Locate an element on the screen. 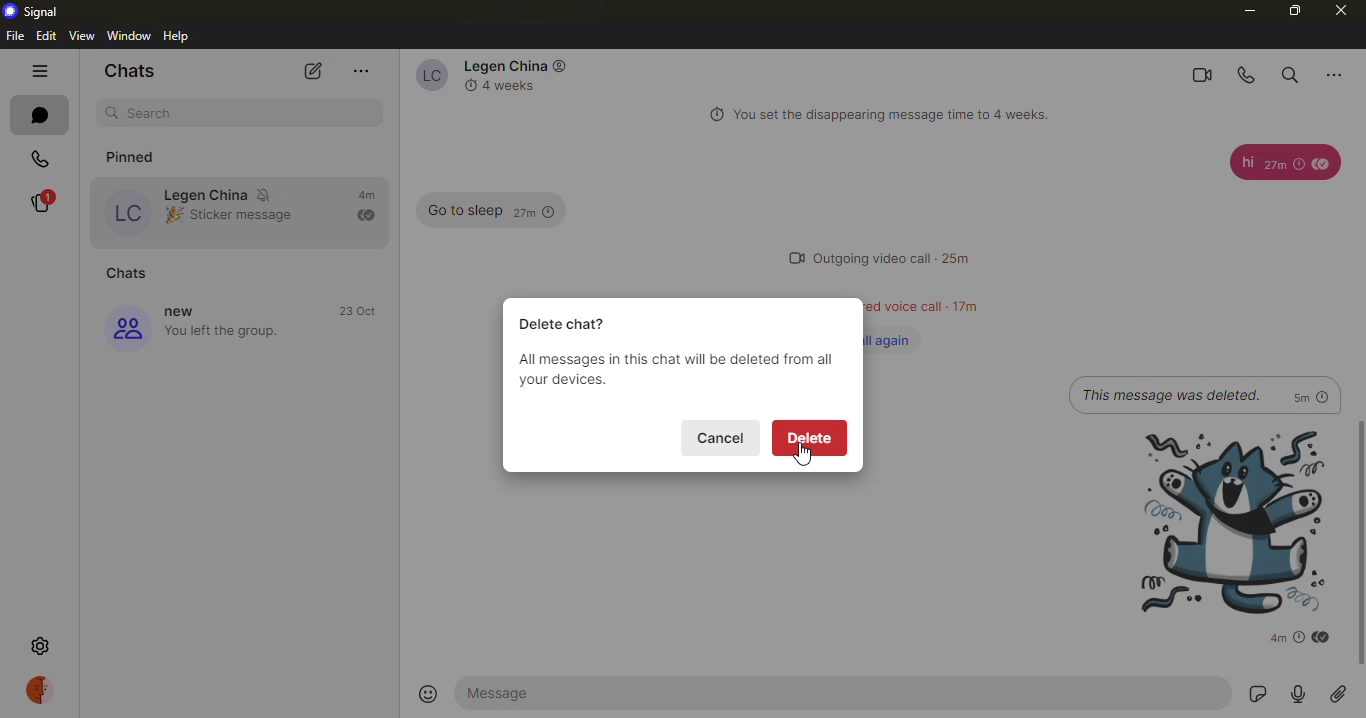  hide tabs is located at coordinates (39, 71).